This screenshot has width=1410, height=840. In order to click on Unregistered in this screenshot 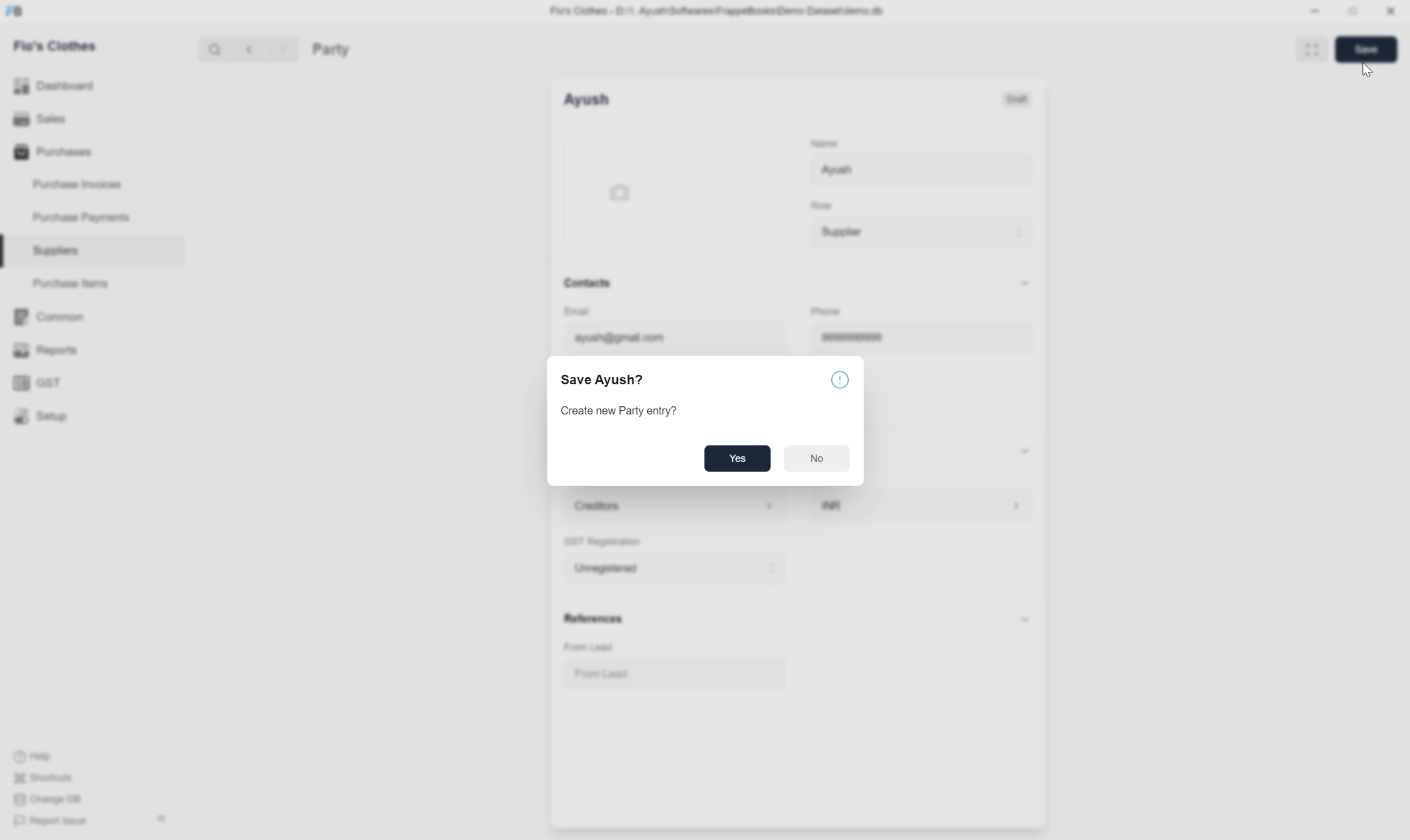, I will do `click(675, 568)`.